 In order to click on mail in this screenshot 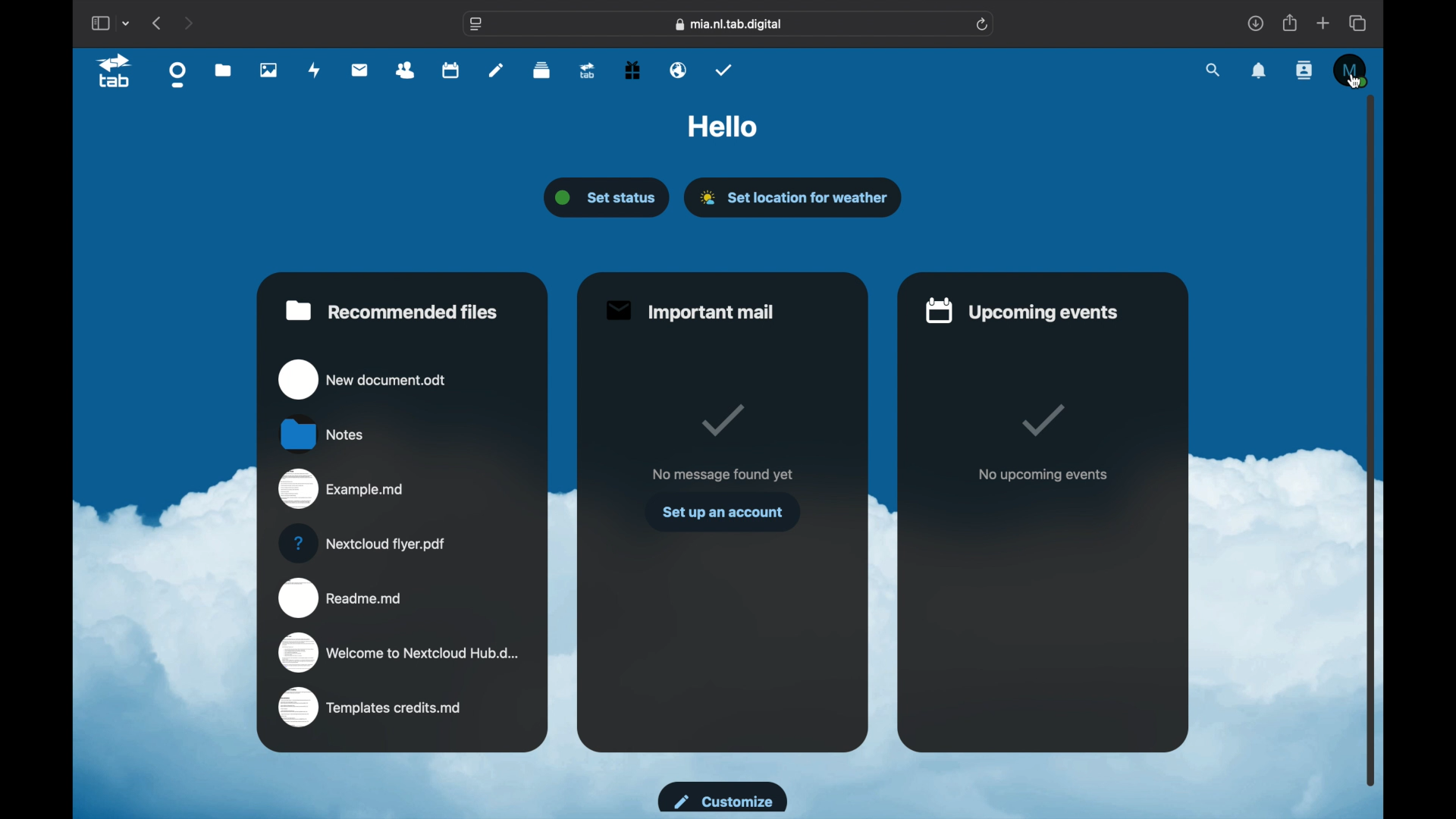, I will do `click(361, 70)`.